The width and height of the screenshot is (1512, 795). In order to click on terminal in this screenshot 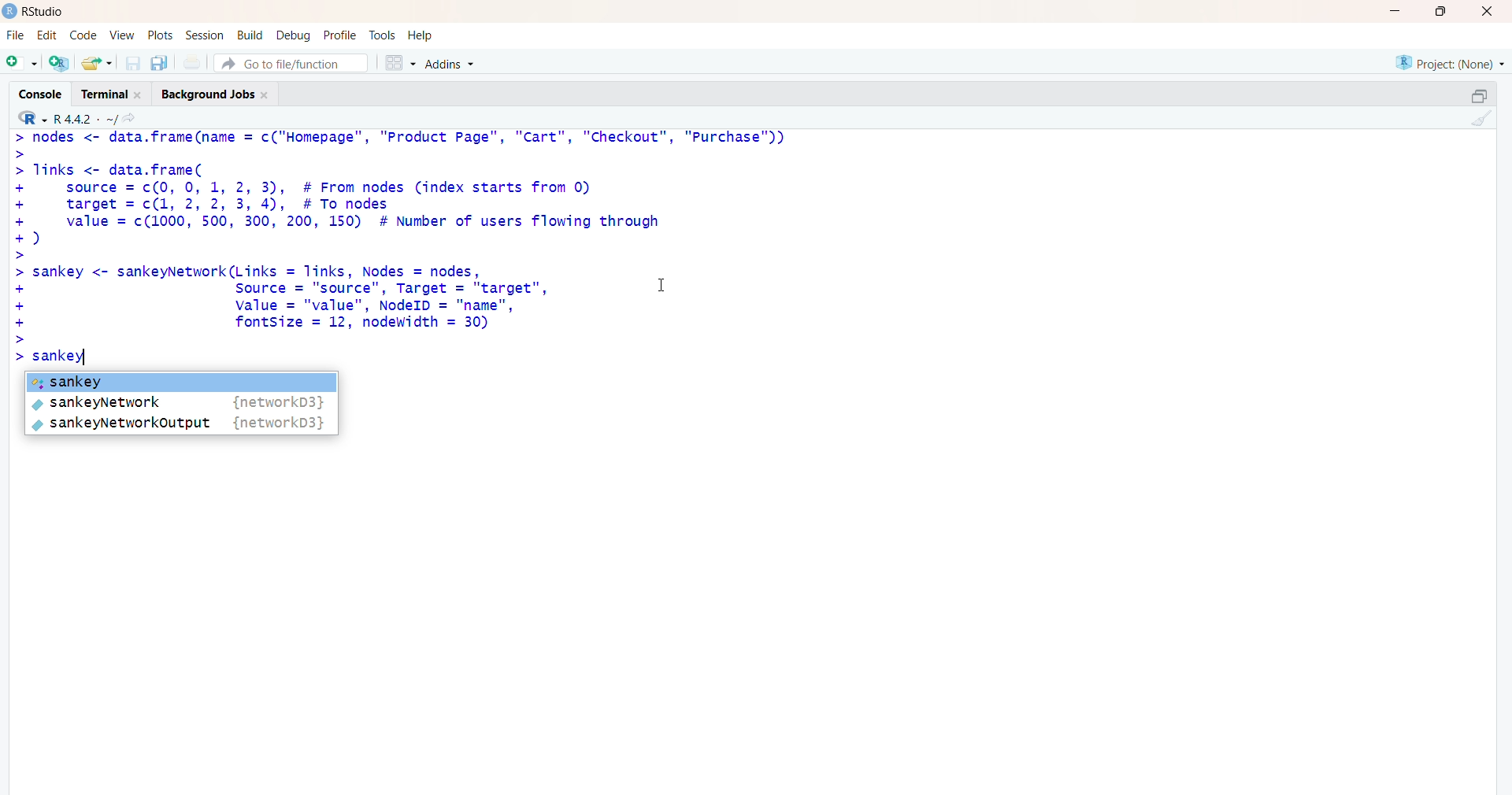, I will do `click(108, 94)`.